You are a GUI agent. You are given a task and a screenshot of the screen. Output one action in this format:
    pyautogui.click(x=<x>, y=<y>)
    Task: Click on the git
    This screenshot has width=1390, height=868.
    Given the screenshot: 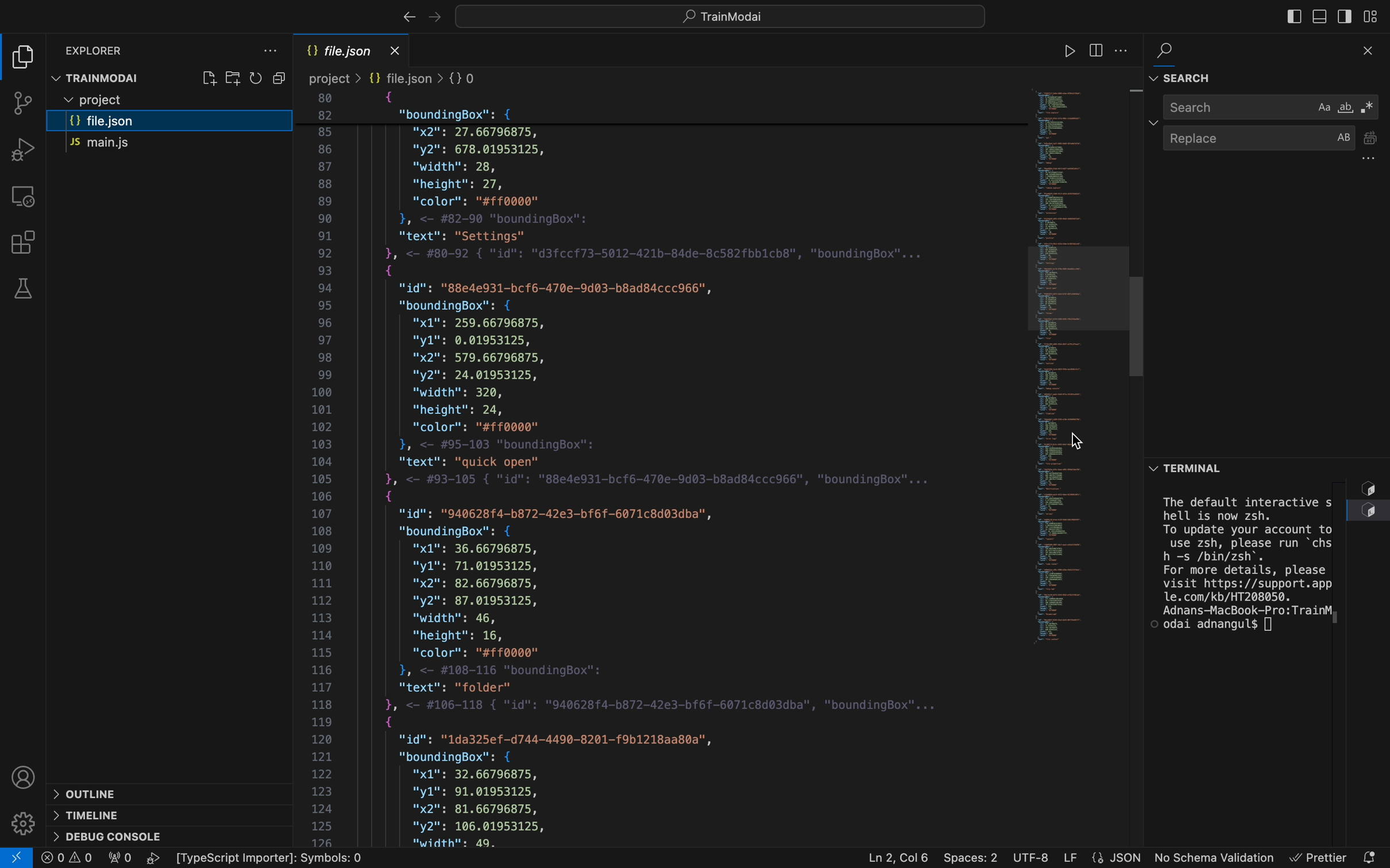 What is the action you would take?
    pyautogui.click(x=18, y=105)
    